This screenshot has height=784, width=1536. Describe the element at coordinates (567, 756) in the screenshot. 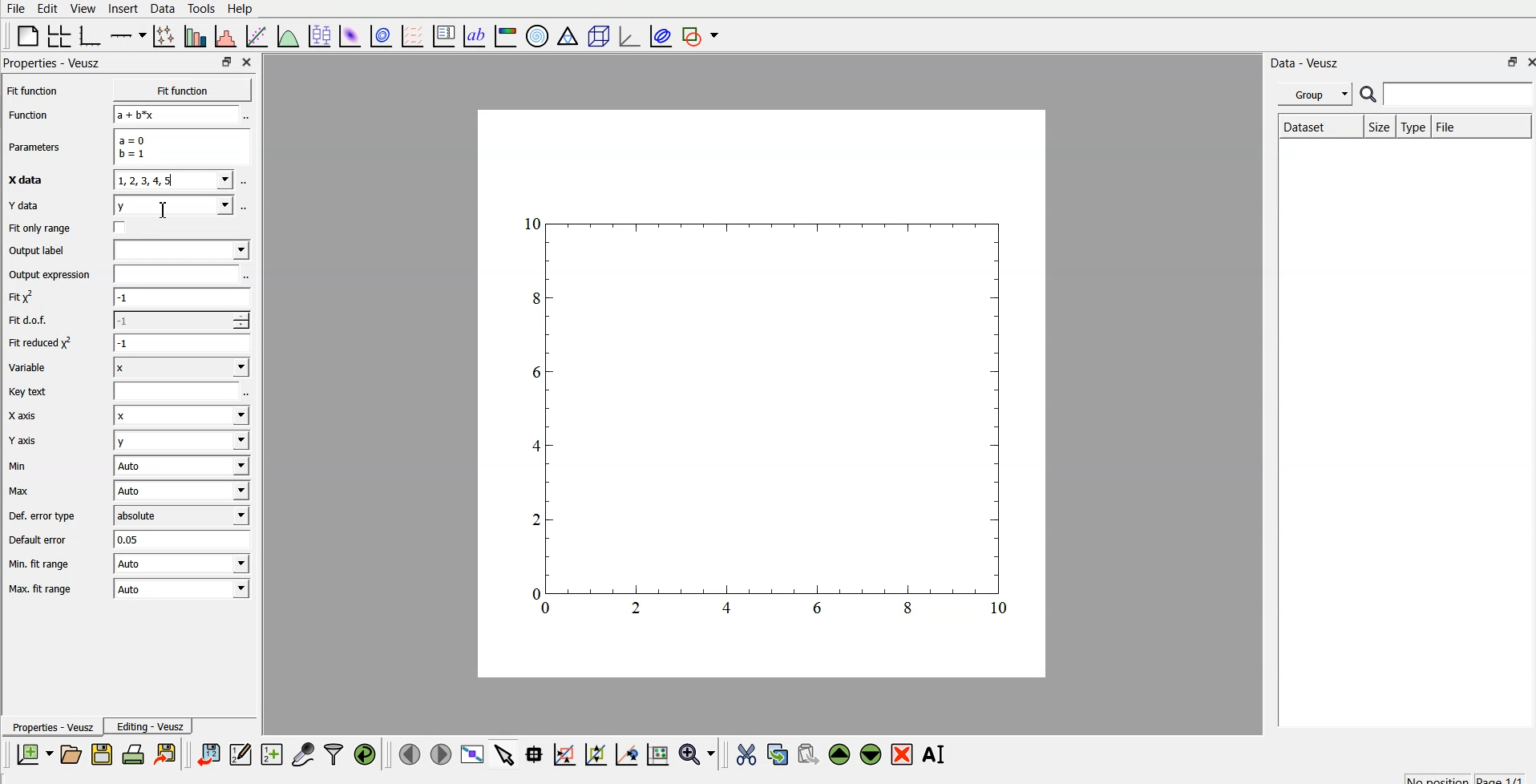

I see `click or draw a rectangle to zoom on graph axes` at that location.